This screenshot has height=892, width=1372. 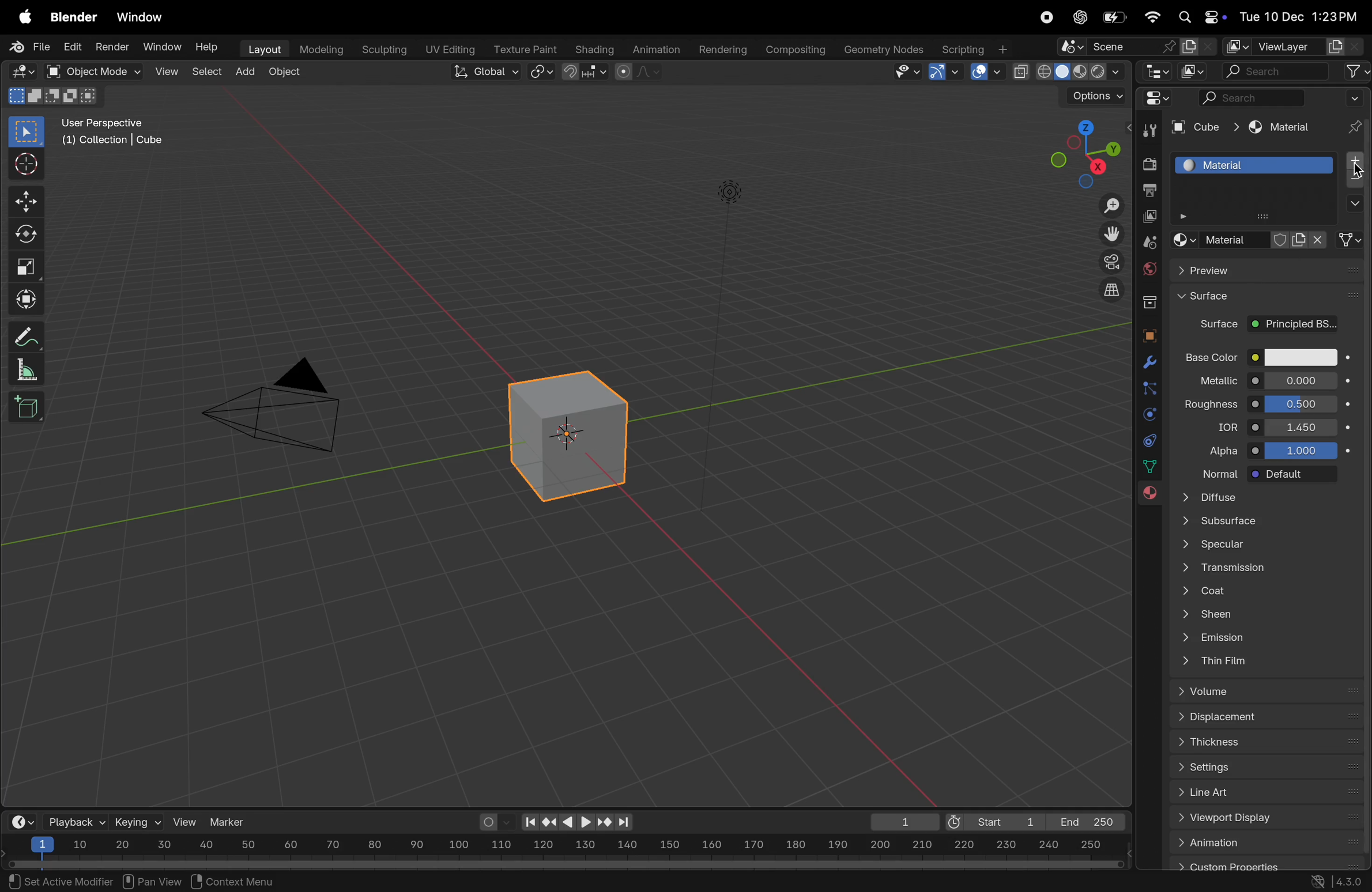 What do you see at coordinates (1267, 867) in the screenshot?
I see `custom properties` at bounding box center [1267, 867].